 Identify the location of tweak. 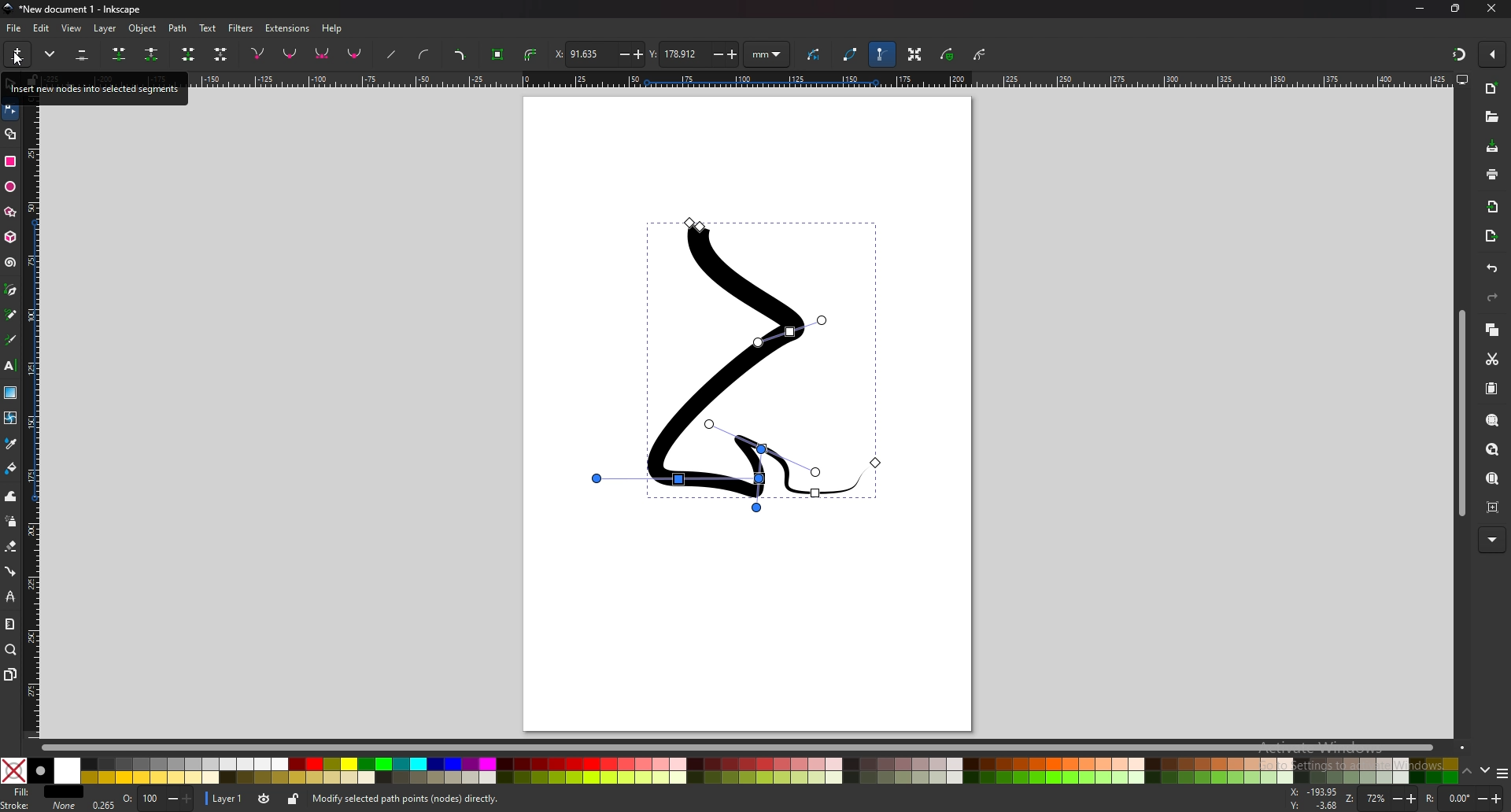
(11, 496).